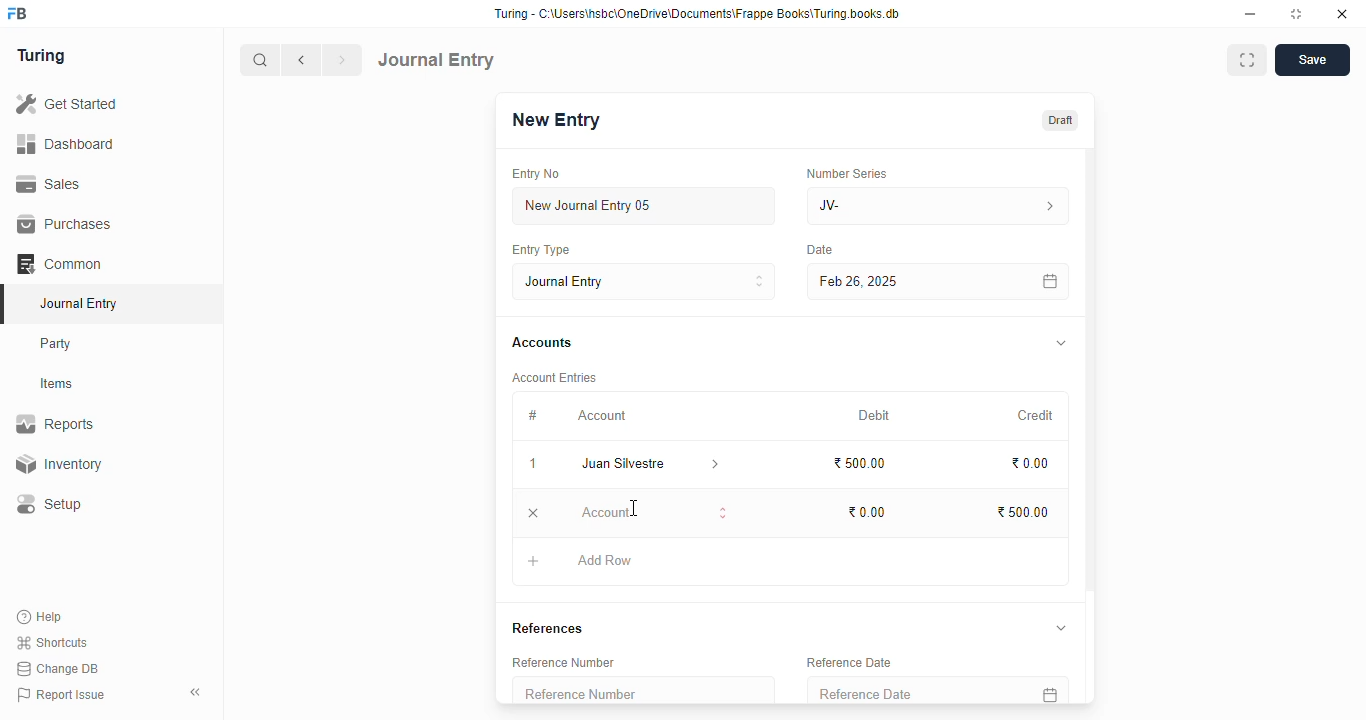 The image size is (1366, 720). Describe the element at coordinates (61, 695) in the screenshot. I see `report issue` at that location.